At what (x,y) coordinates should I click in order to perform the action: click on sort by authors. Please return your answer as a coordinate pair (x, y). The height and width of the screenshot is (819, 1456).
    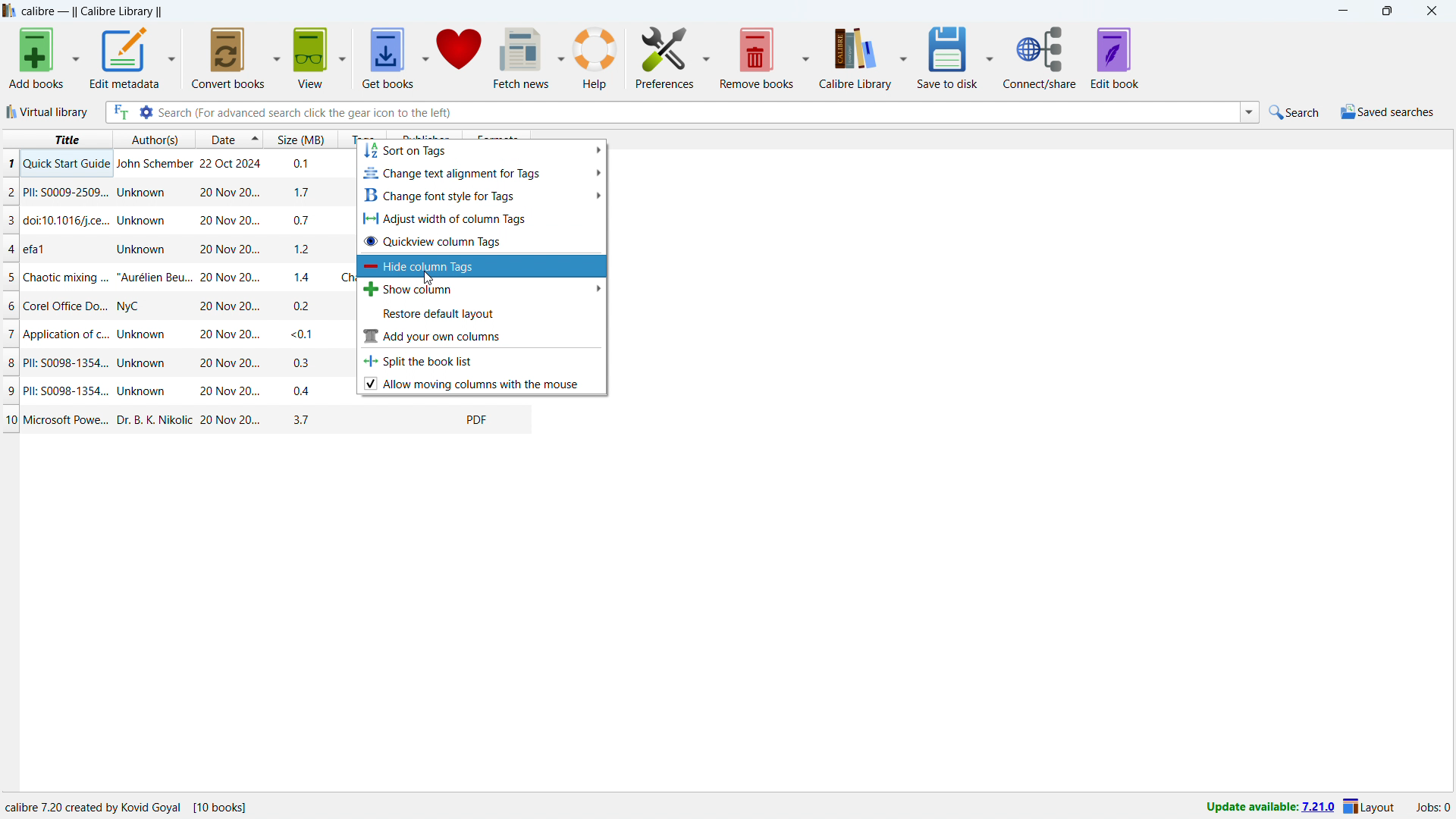
    Looking at the image, I should click on (155, 139).